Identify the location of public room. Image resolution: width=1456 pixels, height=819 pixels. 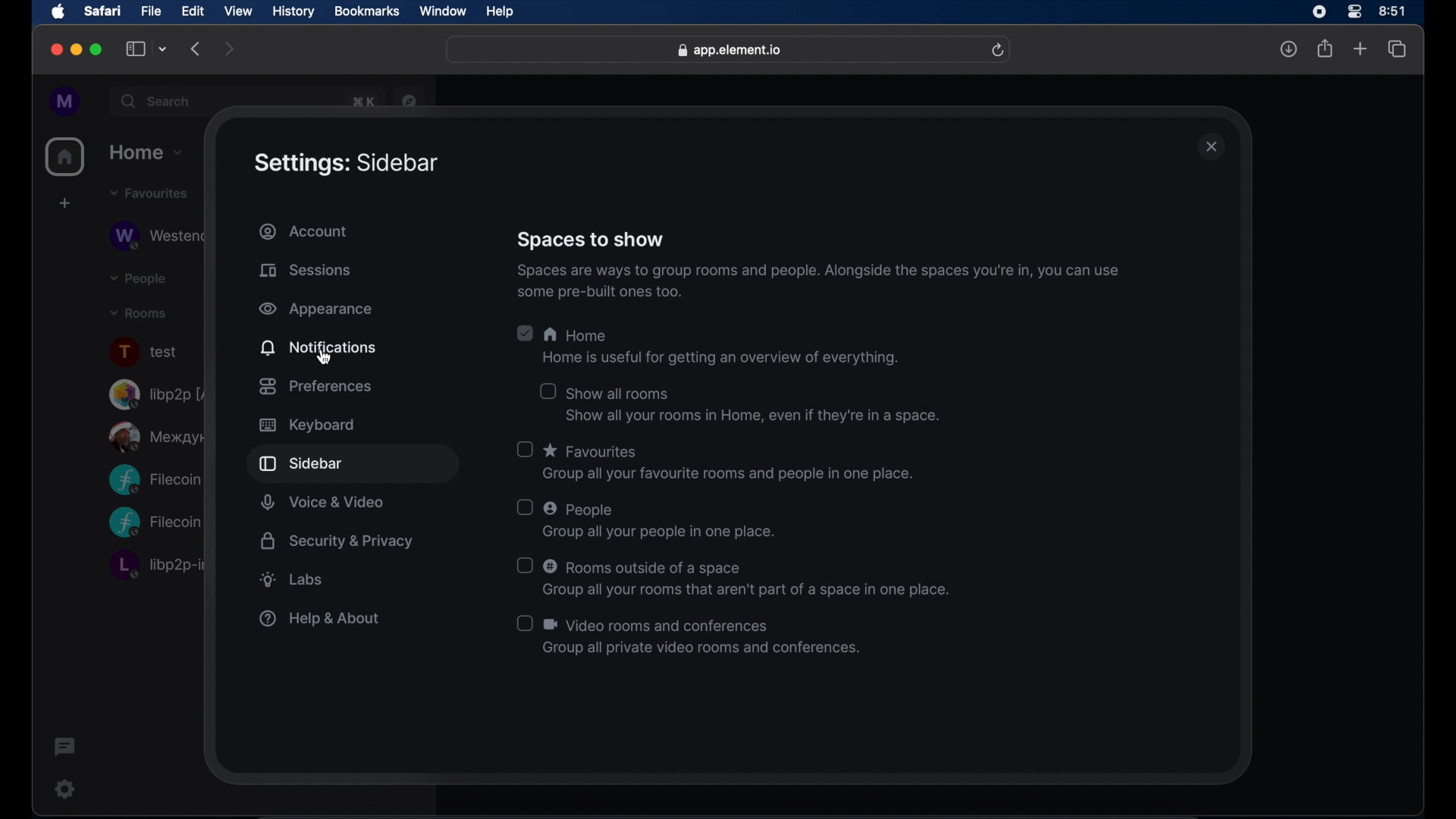
(158, 437).